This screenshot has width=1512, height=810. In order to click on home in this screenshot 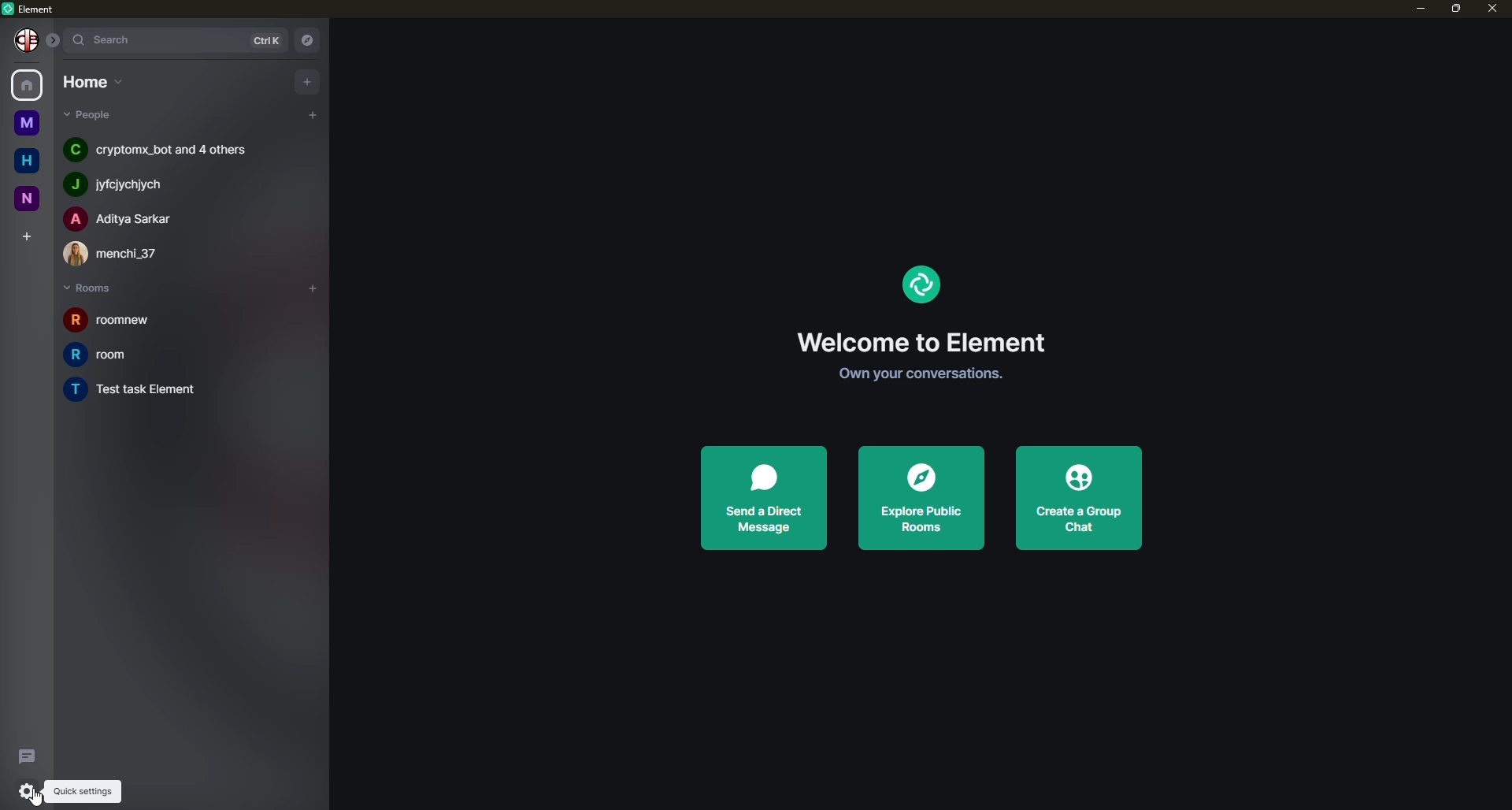, I will do `click(91, 83)`.